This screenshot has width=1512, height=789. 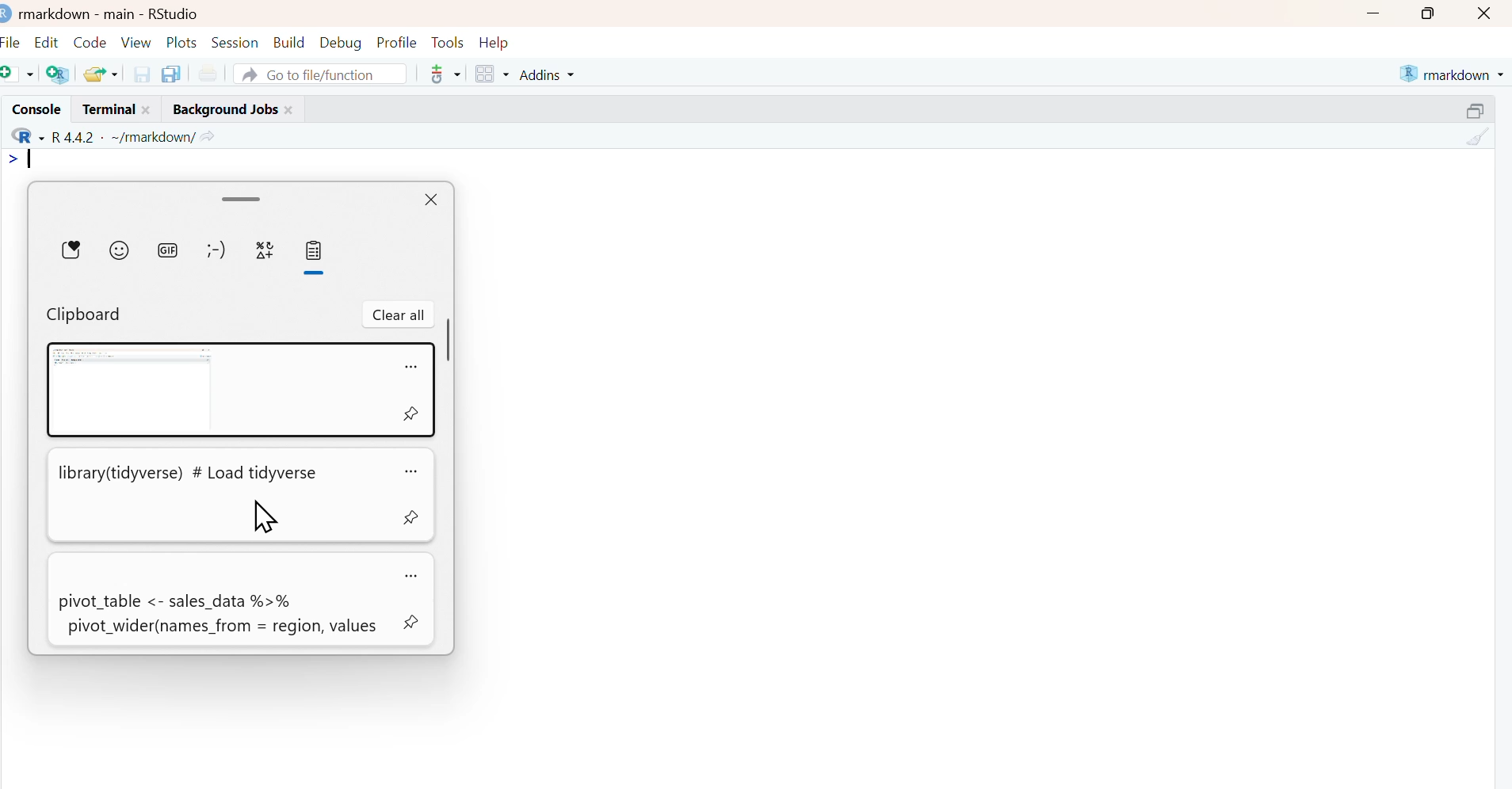 I want to click on create project, so click(x=57, y=74).